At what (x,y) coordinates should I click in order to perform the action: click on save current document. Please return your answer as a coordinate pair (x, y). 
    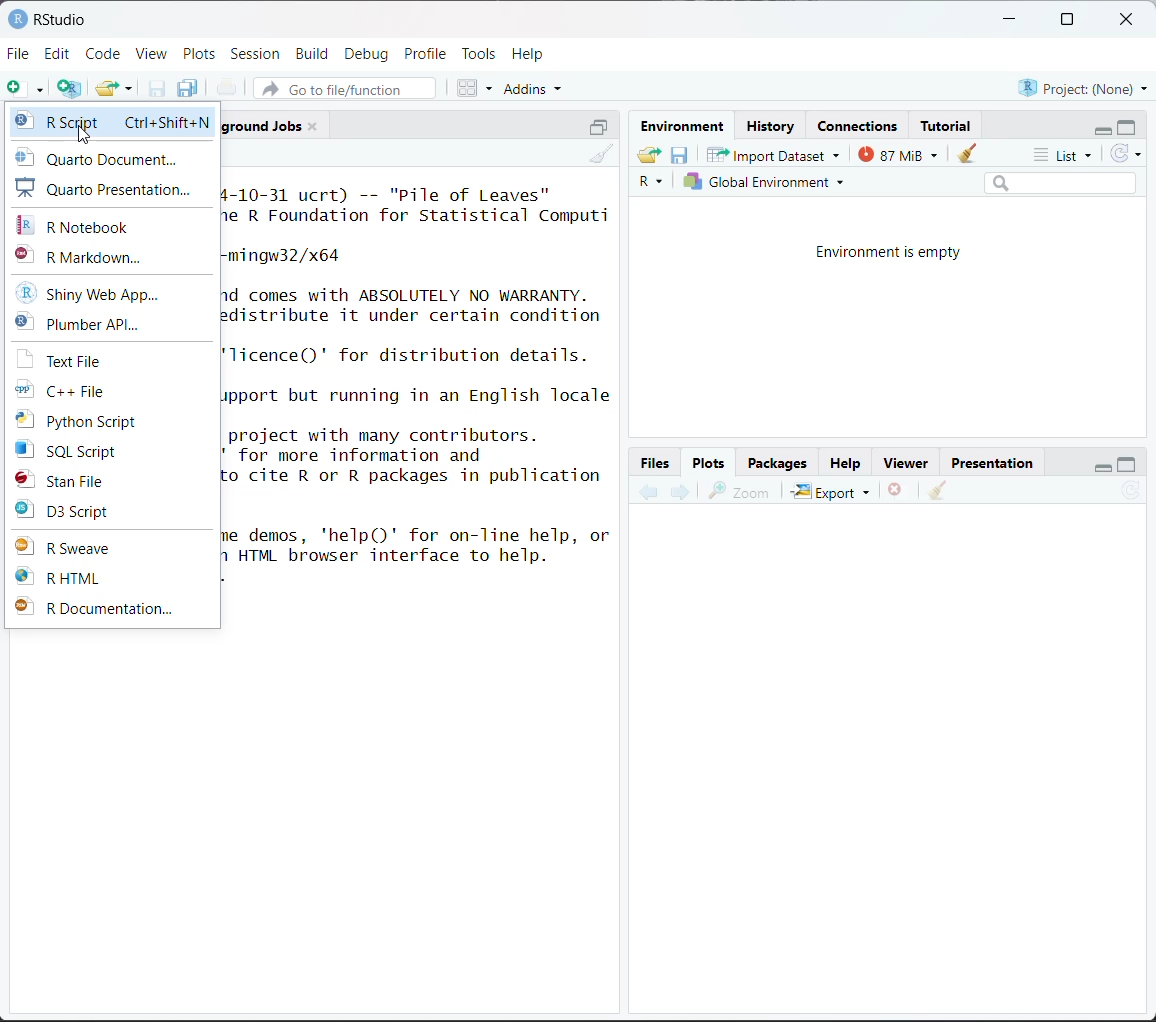
    Looking at the image, I should click on (157, 88).